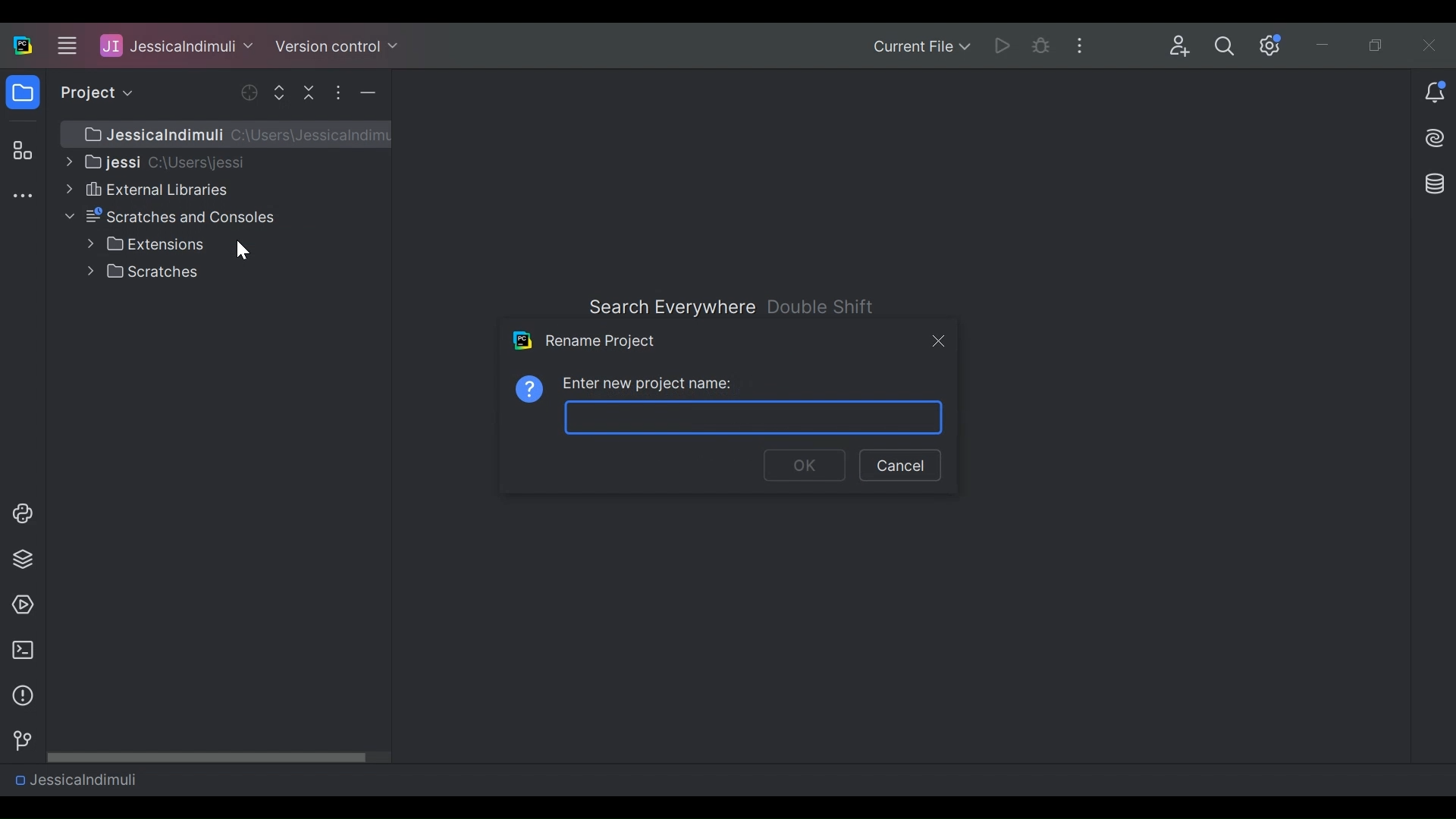 The height and width of the screenshot is (819, 1456). Describe the element at coordinates (146, 244) in the screenshot. I see `Extensions` at that location.